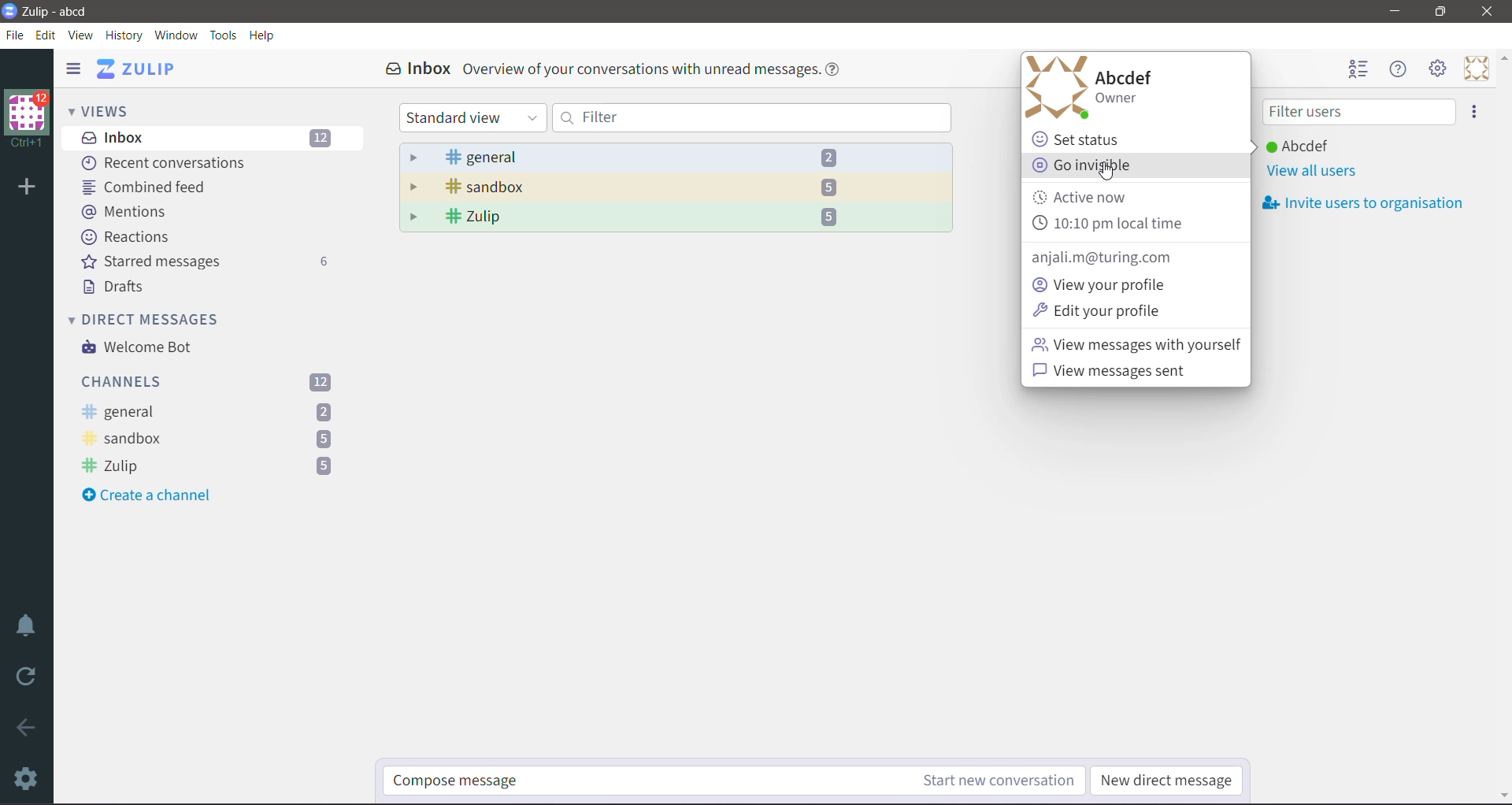 The height and width of the screenshot is (805, 1512). What do you see at coordinates (211, 263) in the screenshot?
I see `Starred messages` at bounding box center [211, 263].